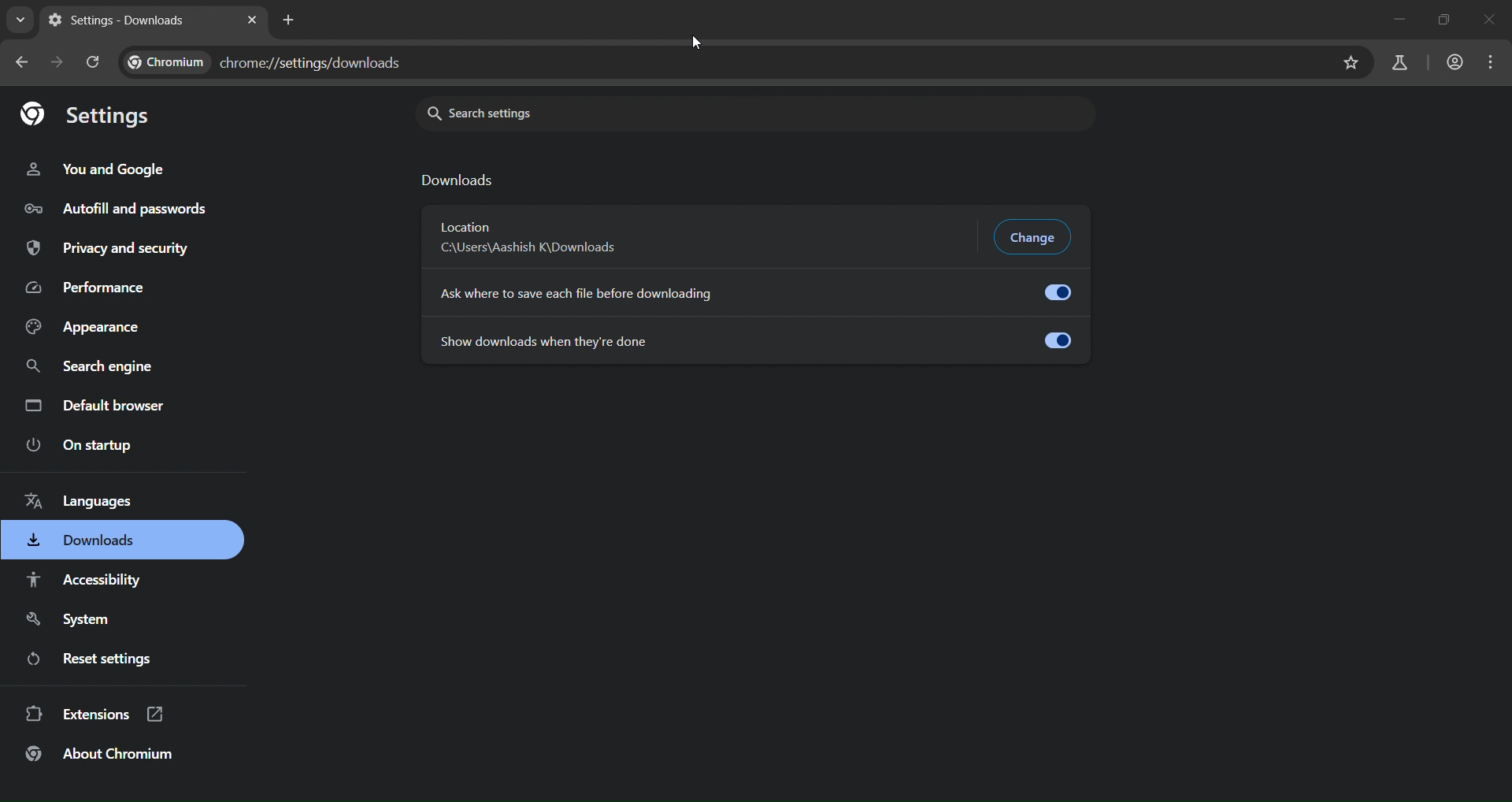 This screenshot has height=802, width=1512. I want to click on reload page, so click(91, 62).